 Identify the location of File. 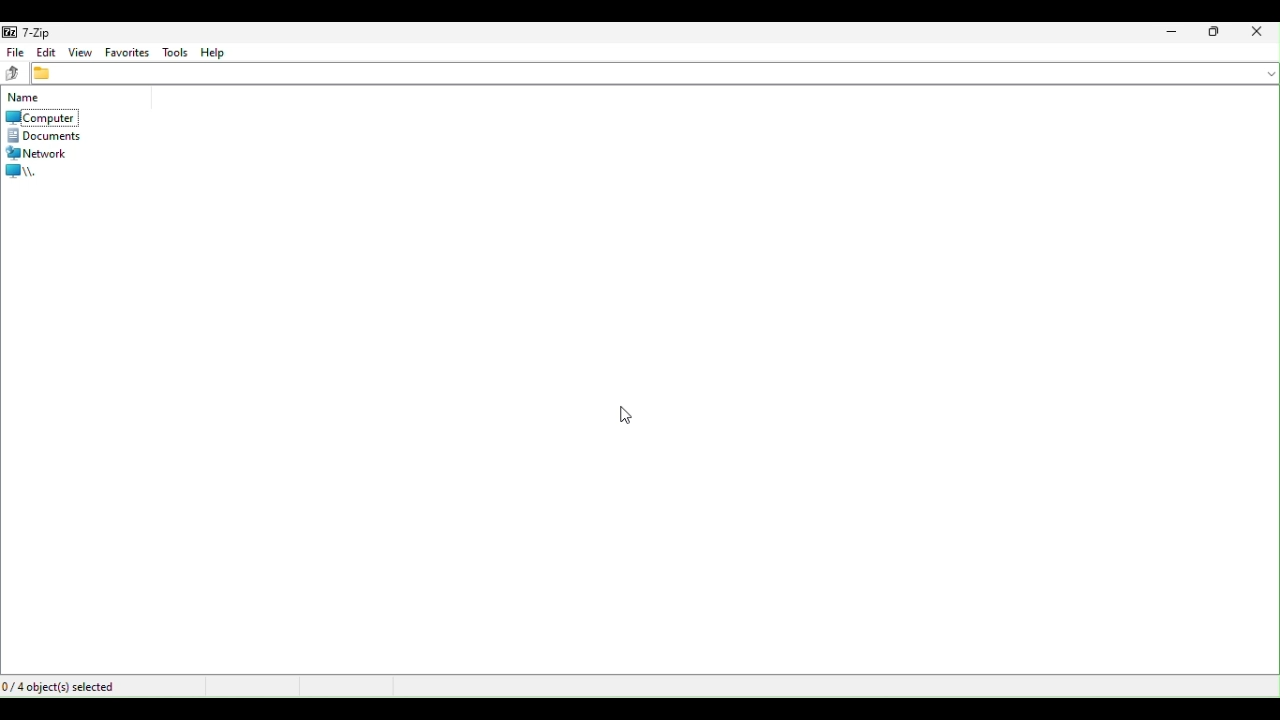
(17, 50).